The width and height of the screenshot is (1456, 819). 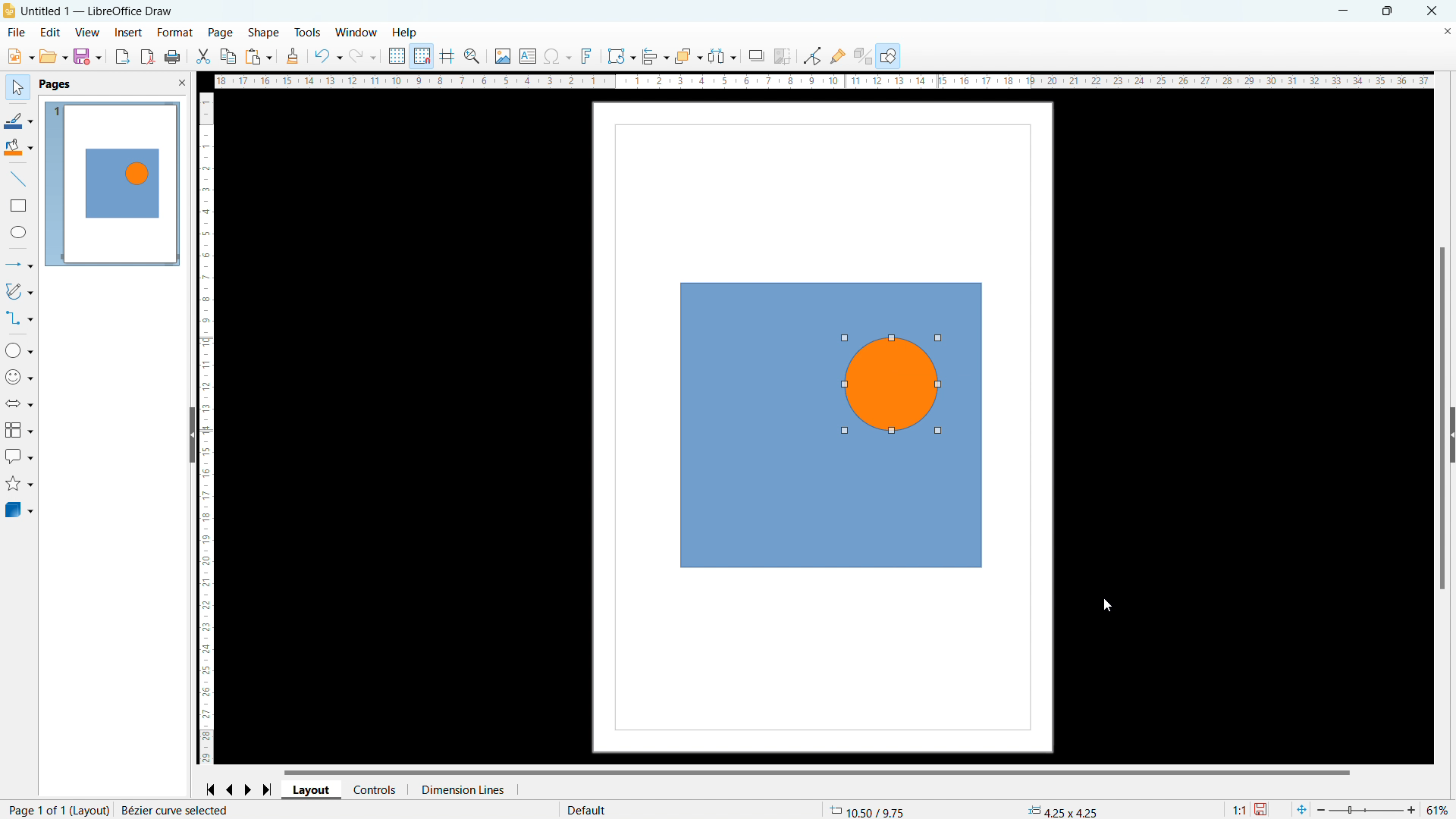 I want to click on symbol shapes, so click(x=19, y=378).